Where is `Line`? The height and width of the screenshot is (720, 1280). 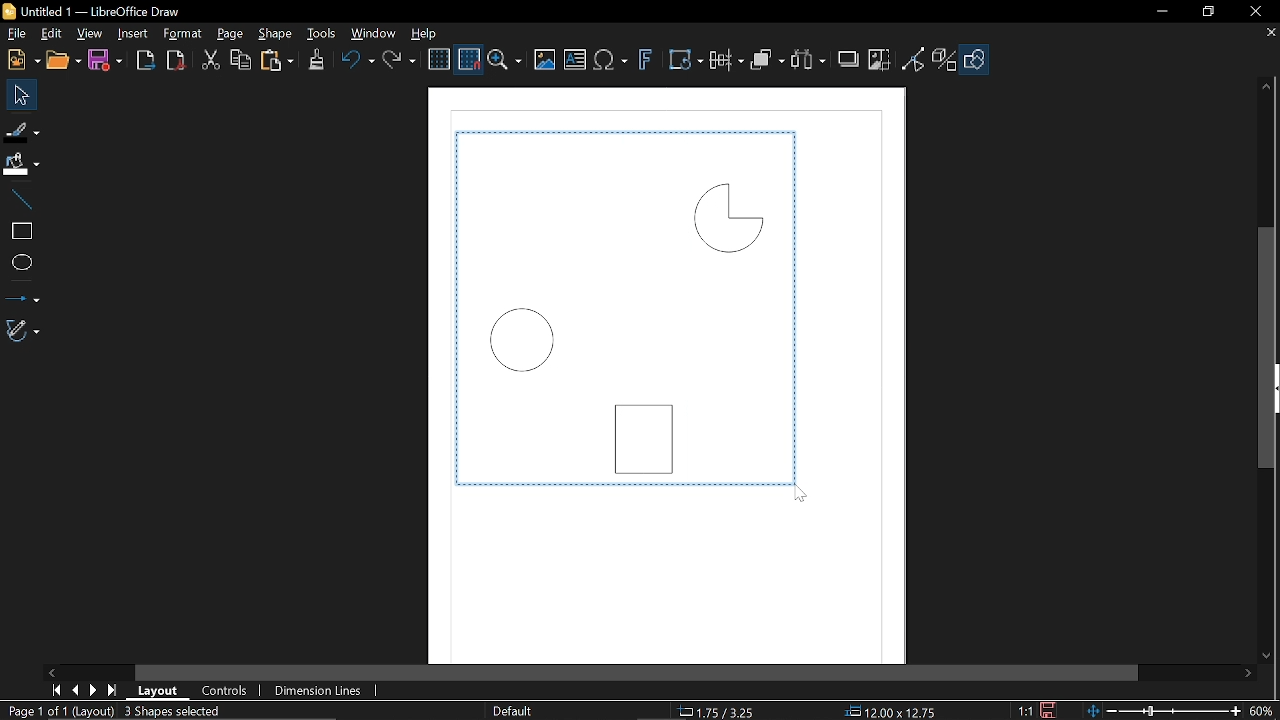
Line is located at coordinates (18, 195).